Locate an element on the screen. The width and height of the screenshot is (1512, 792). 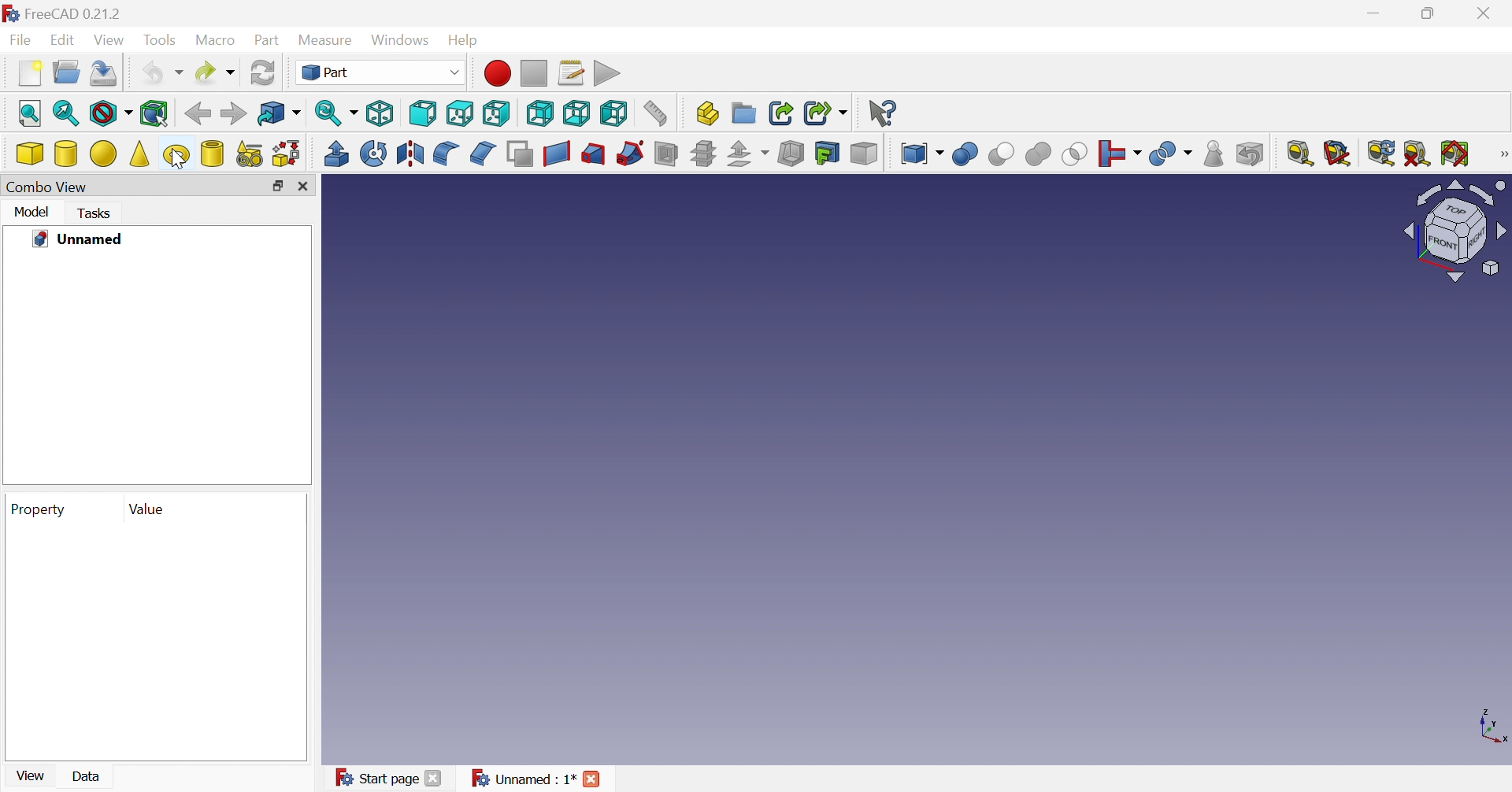
Isometric is located at coordinates (382, 113).